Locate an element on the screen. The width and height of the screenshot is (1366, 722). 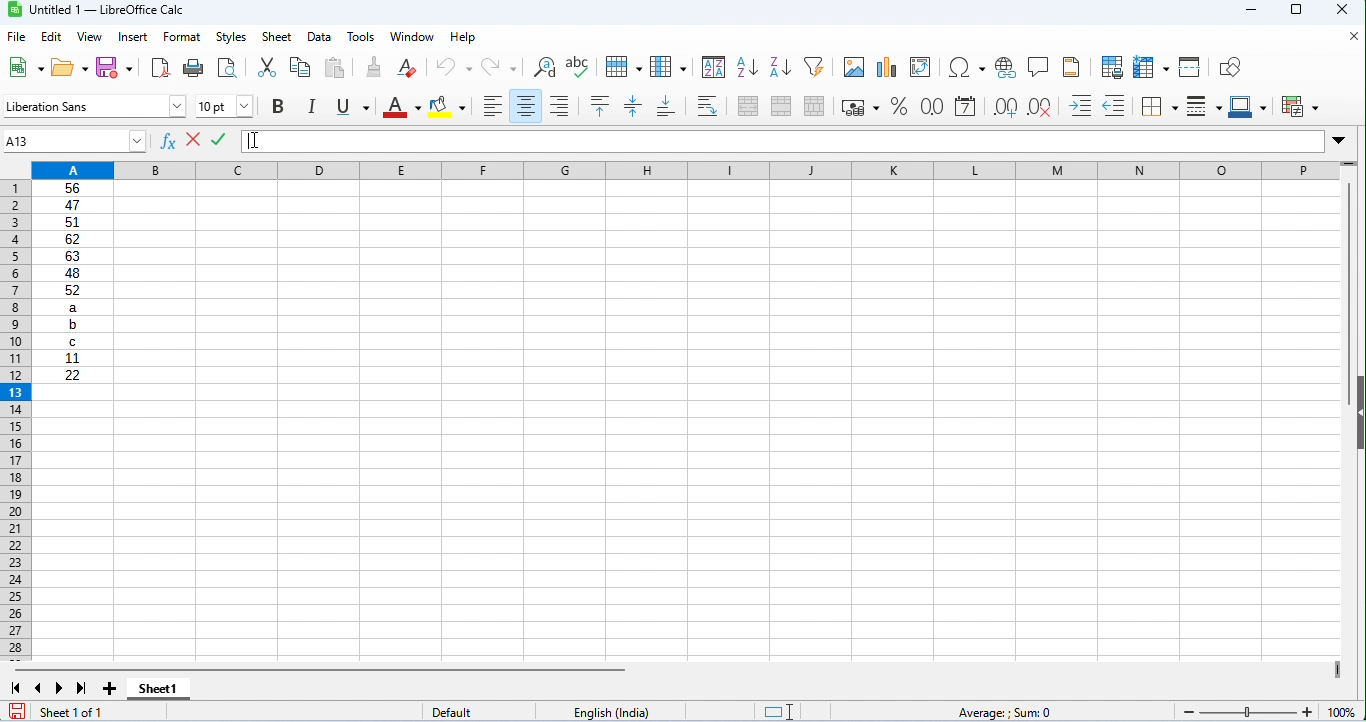
a is located at coordinates (72, 307).